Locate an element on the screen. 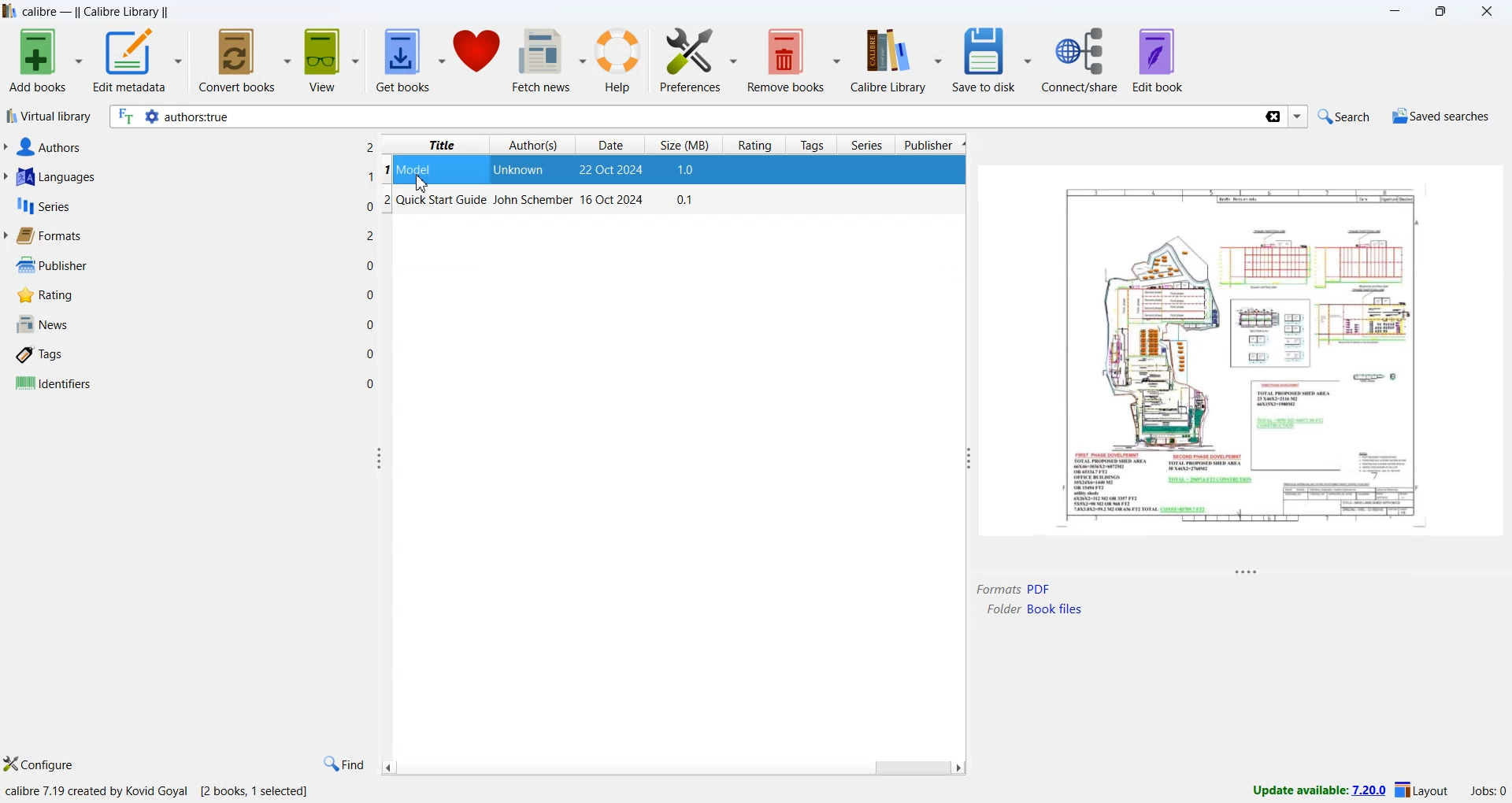  1 is located at coordinates (371, 176).